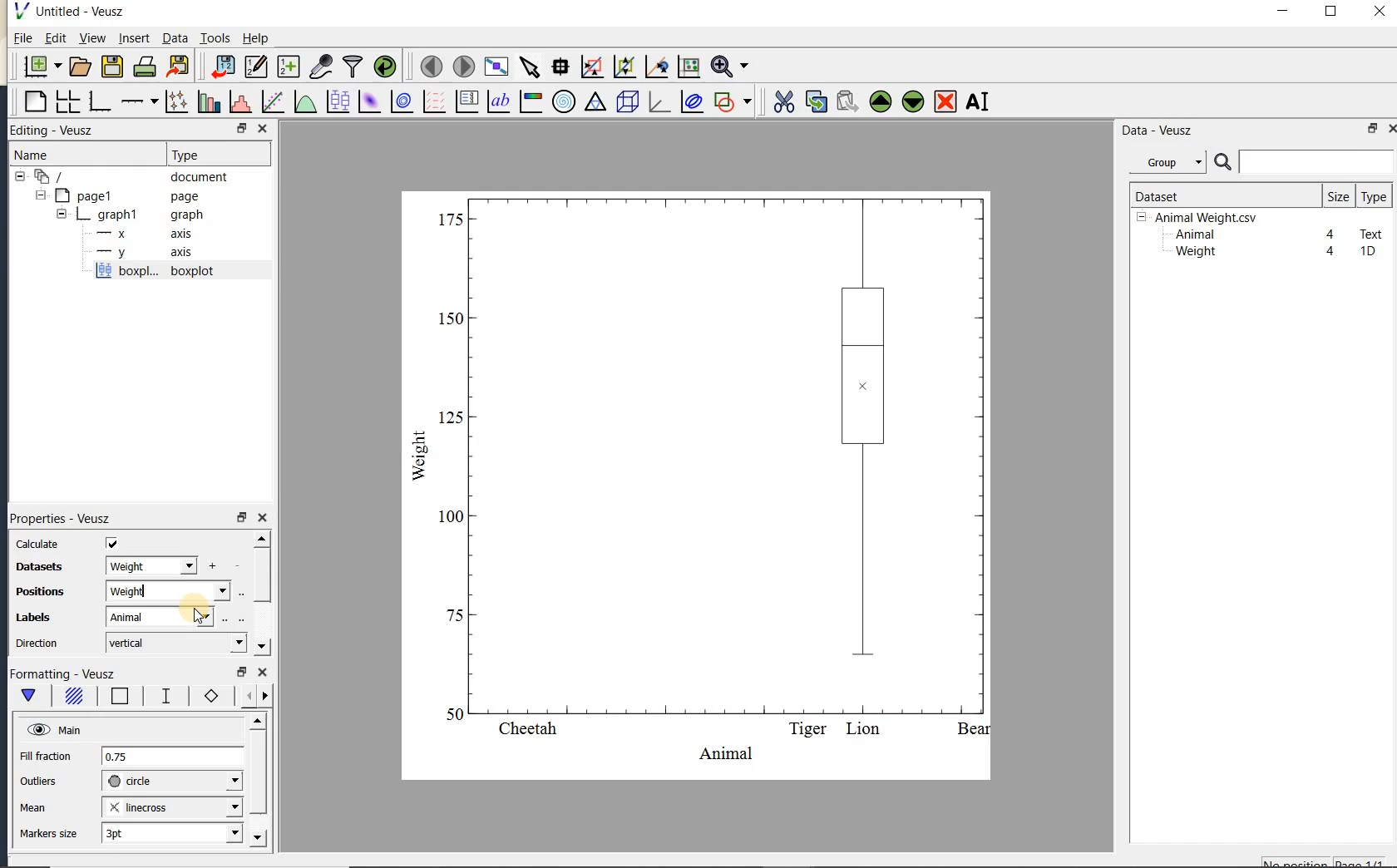 The height and width of the screenshot is (868, 1397). I want to click on CLOSE, so click(262, 128).